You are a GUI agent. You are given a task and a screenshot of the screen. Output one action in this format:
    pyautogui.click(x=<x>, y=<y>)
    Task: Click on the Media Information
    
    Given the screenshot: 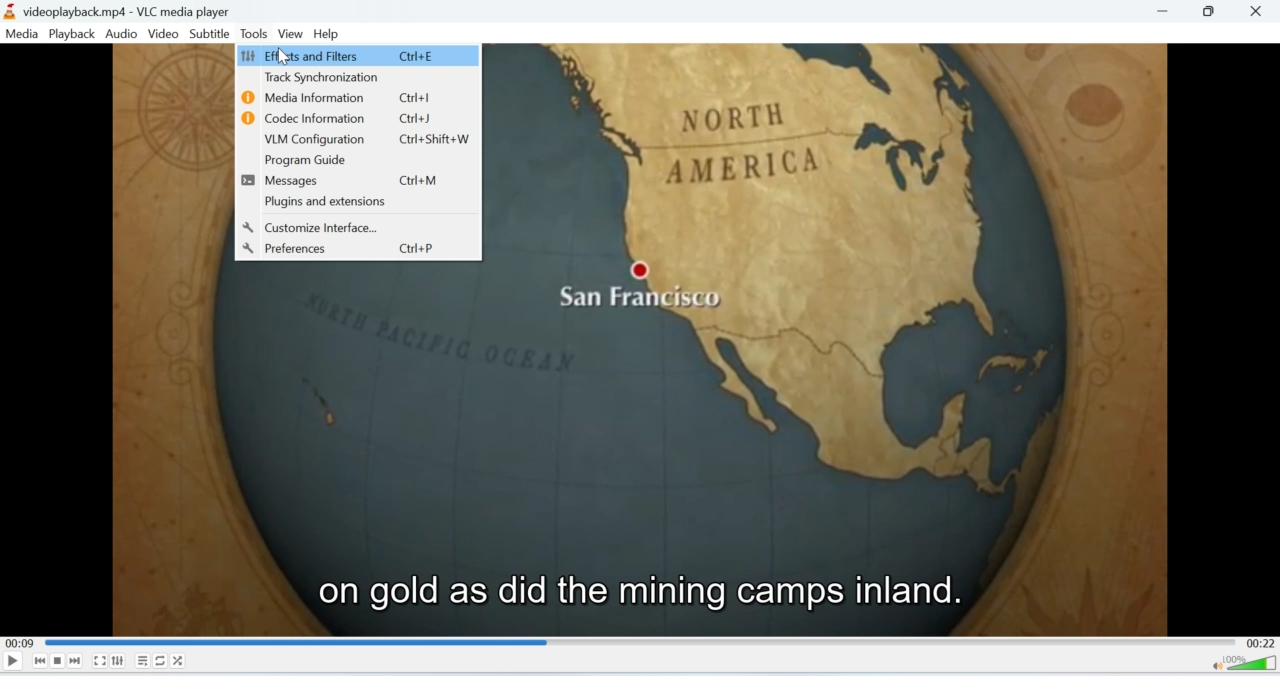 What is the action you would take?
    pyautogui.click(x=305, y=99)
    